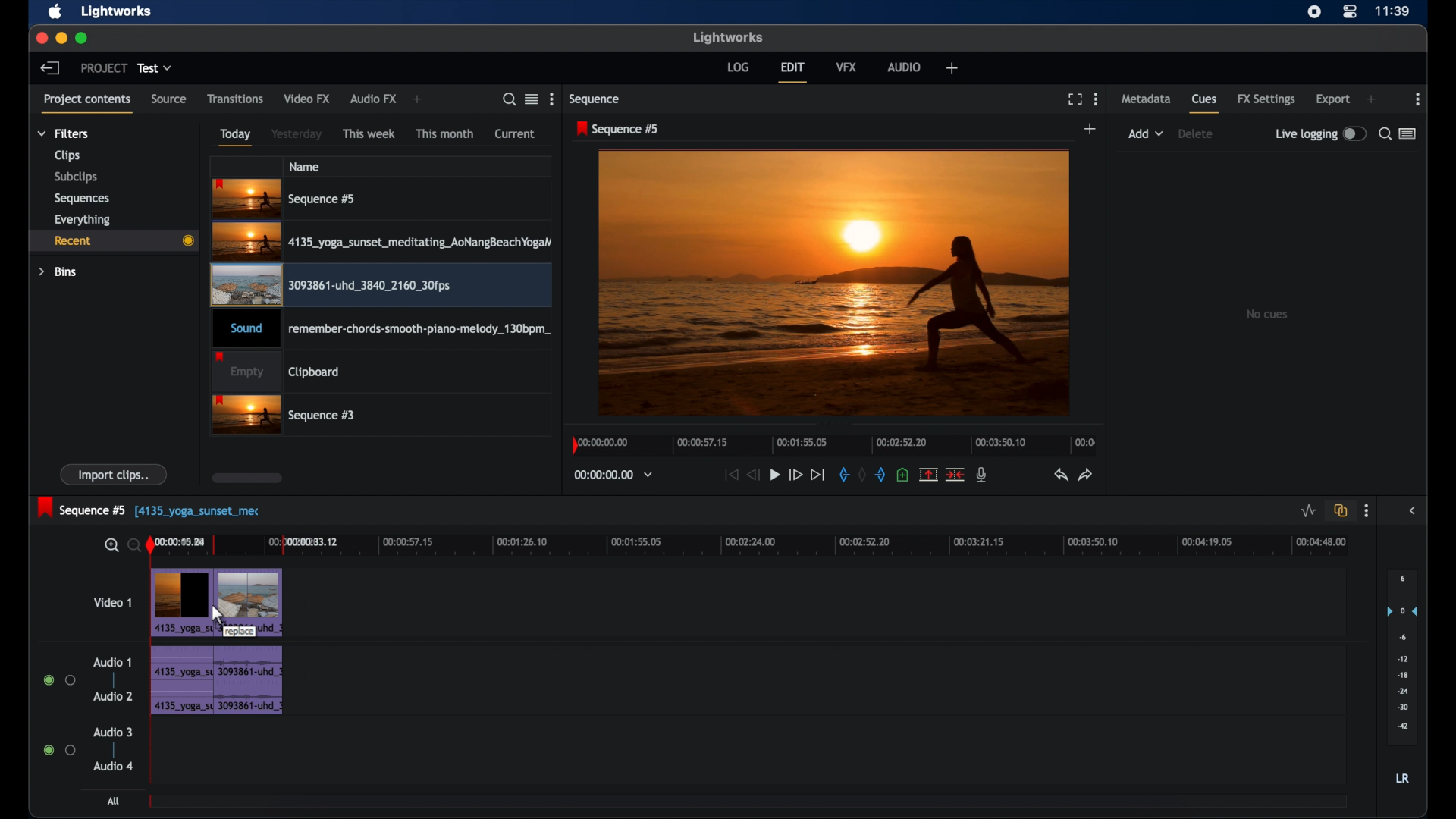 This screenshot has width=1456, height=819. Describe the element at coordinates (1092, 128) in the screenshot. I see `add` at that location.